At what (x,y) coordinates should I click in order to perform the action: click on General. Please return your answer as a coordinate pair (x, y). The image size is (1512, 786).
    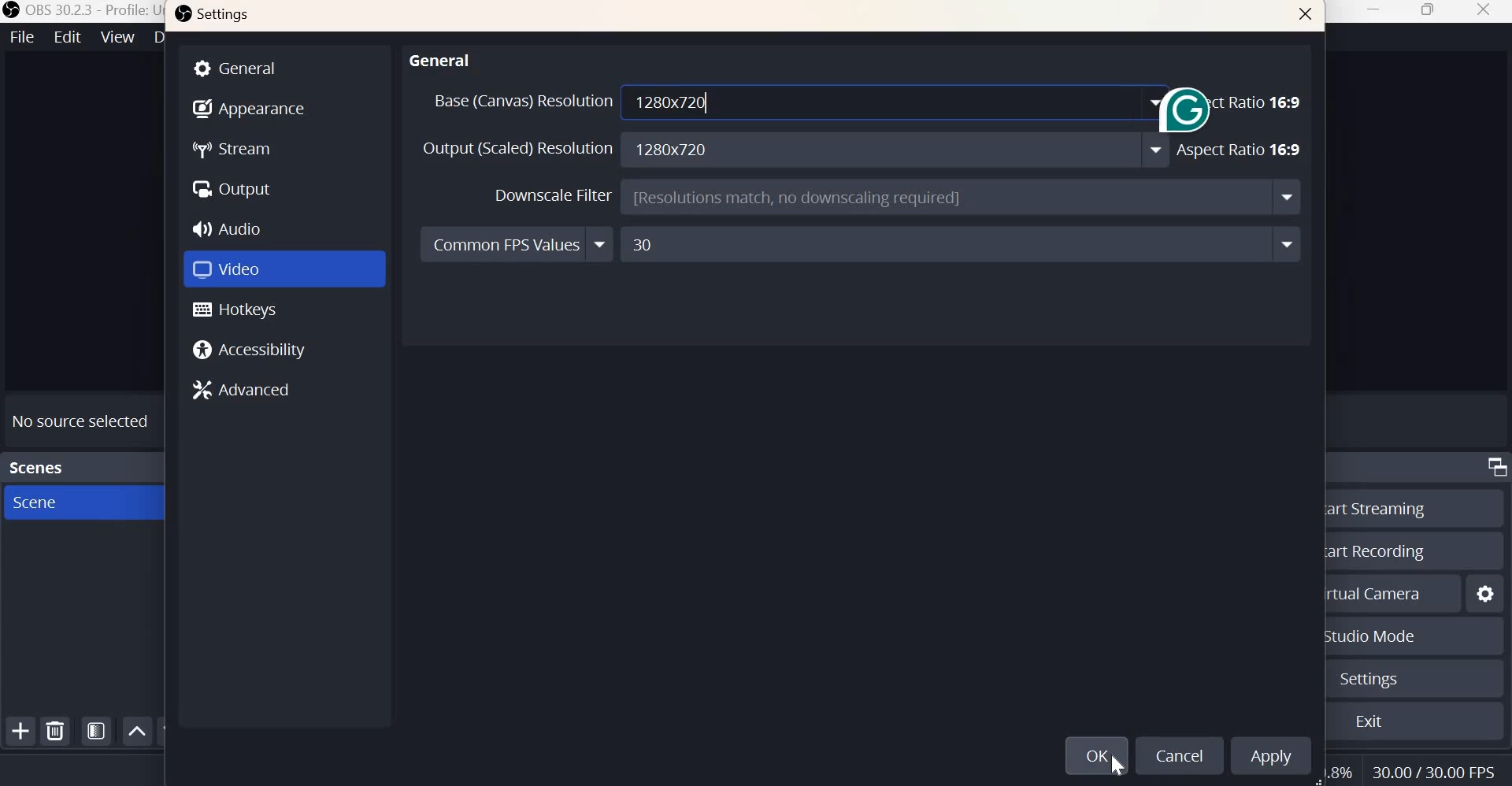
    Looking at the image, I should click on (285, 67).